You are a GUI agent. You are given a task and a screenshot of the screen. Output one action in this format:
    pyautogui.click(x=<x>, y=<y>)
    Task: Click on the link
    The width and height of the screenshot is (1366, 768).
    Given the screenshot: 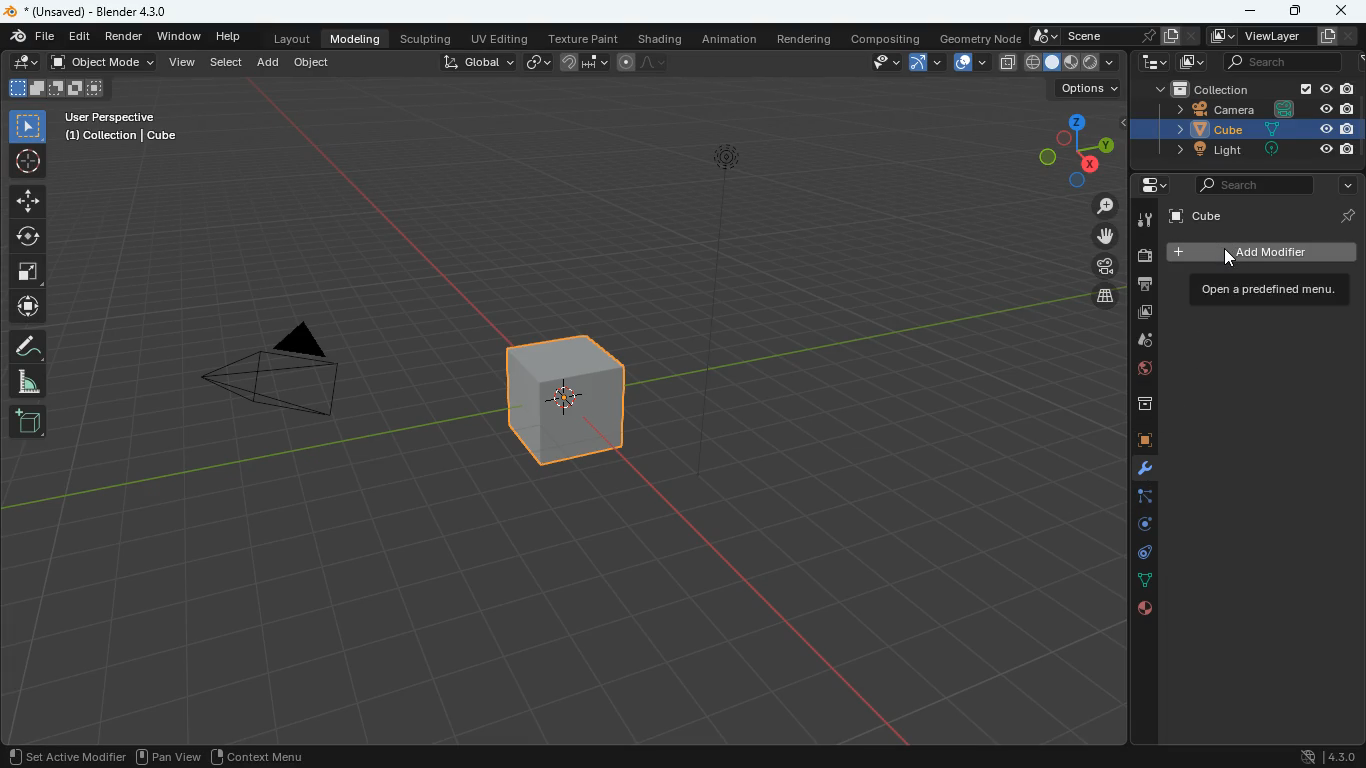 What is the action you would take?
    pyautogui.click(x=536, y=63)
    